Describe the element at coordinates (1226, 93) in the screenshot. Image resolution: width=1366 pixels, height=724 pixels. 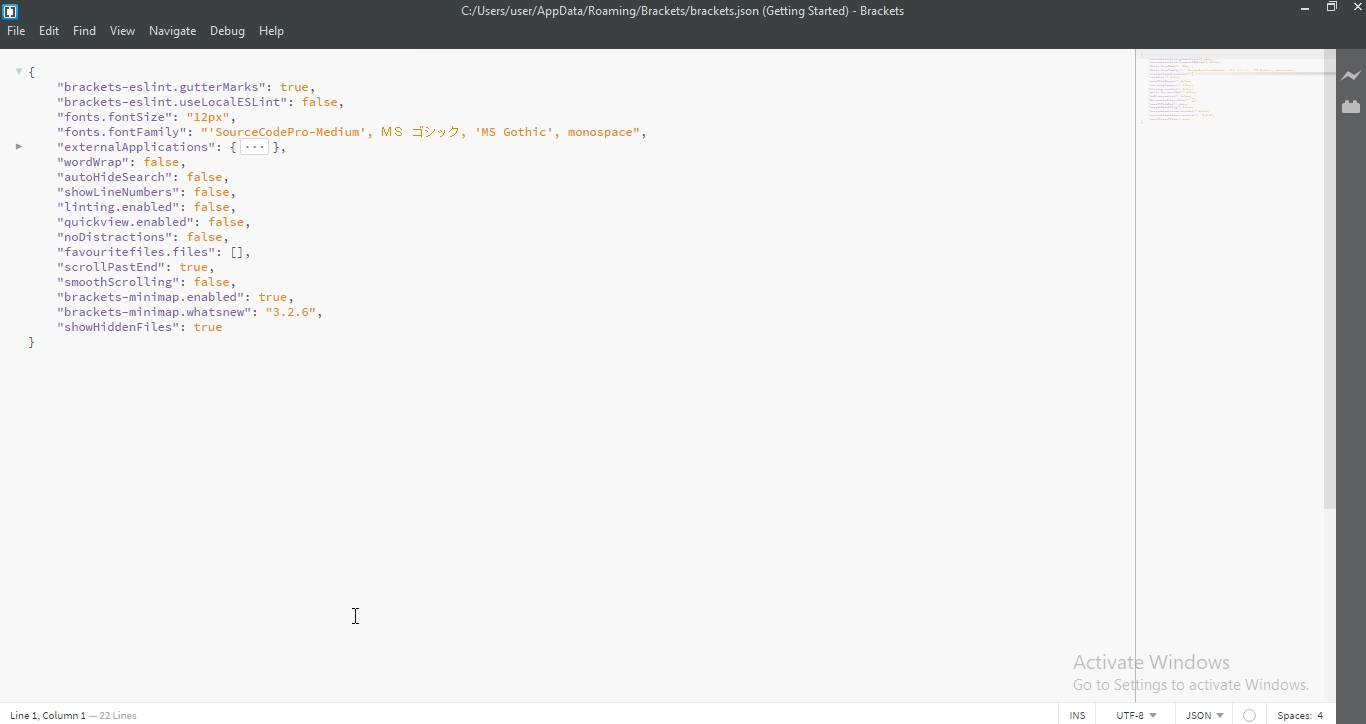
I see `minimap` at that location.